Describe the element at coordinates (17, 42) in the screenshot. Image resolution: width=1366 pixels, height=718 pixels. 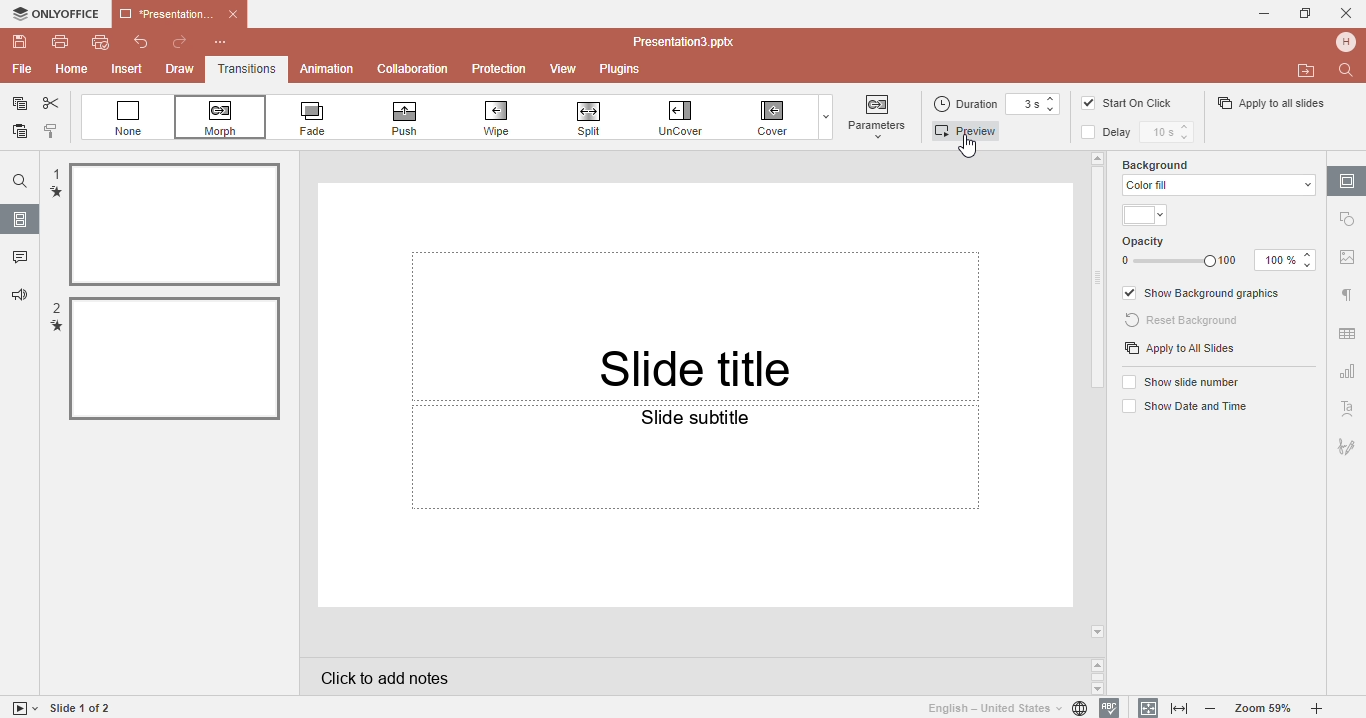
I see `Save` at that location.